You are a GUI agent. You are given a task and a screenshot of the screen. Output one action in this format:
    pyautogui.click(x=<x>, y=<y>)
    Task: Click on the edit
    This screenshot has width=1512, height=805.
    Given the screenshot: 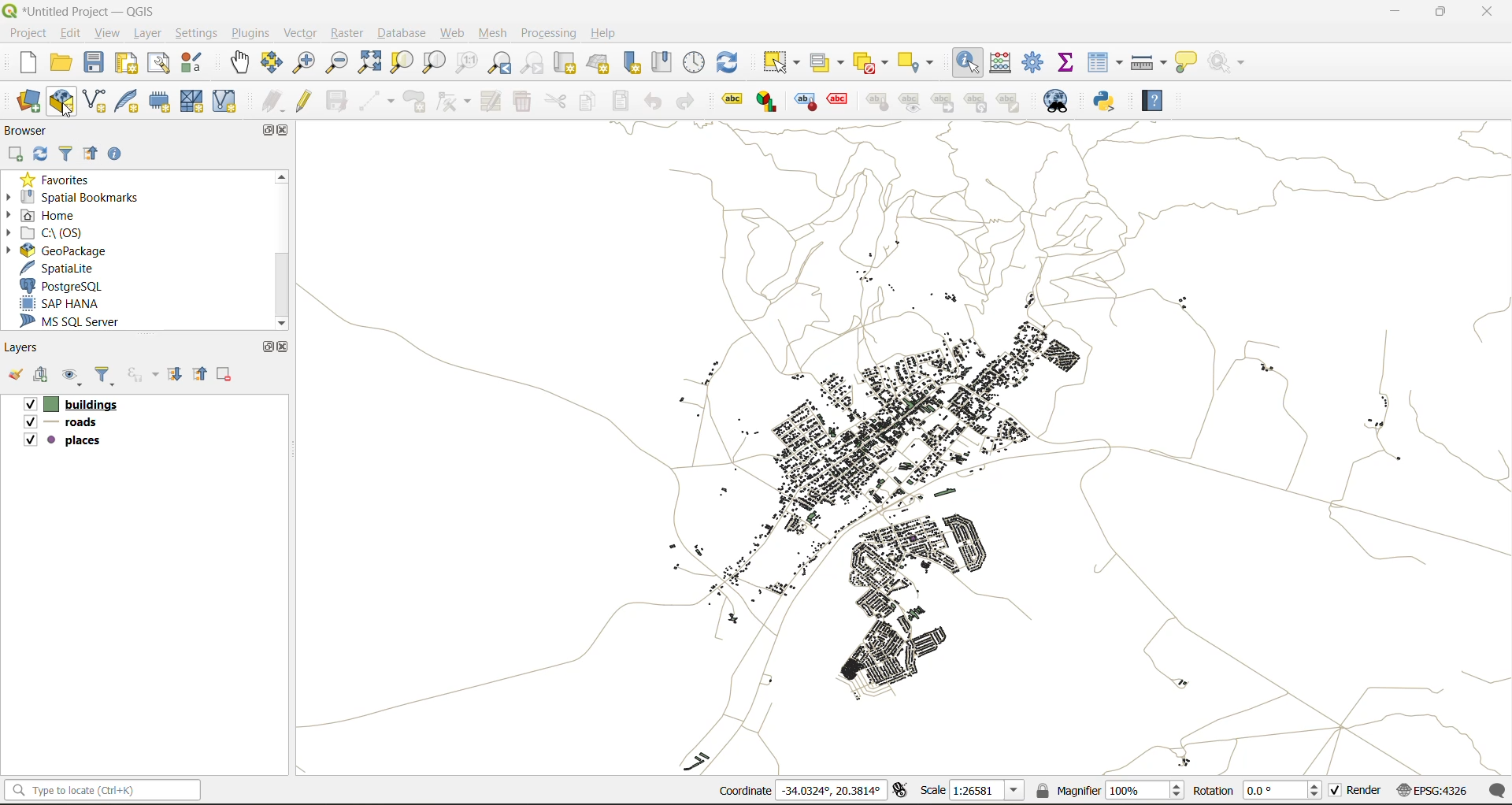 What is the action you would take?
    pyautogui.click(x=72, y=32)
    